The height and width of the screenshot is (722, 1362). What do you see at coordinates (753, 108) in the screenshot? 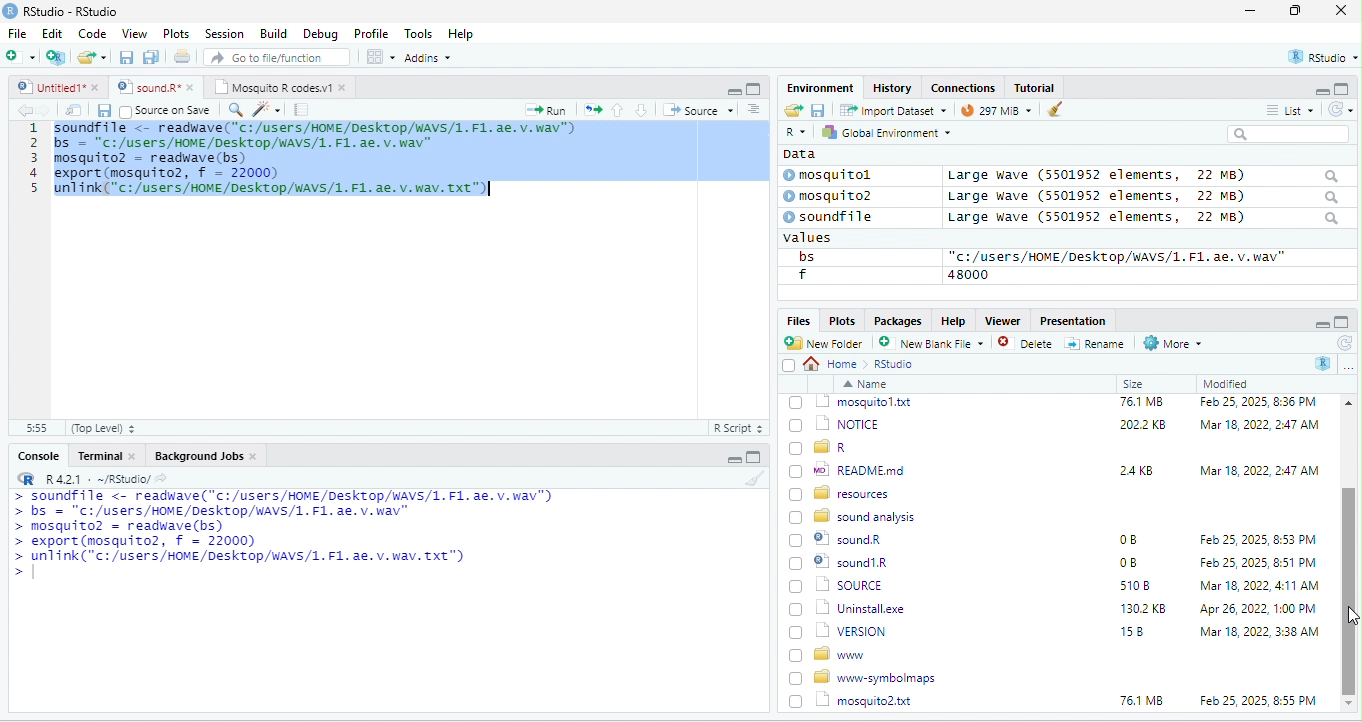
I see `sort` at bounding box center [753, 108].